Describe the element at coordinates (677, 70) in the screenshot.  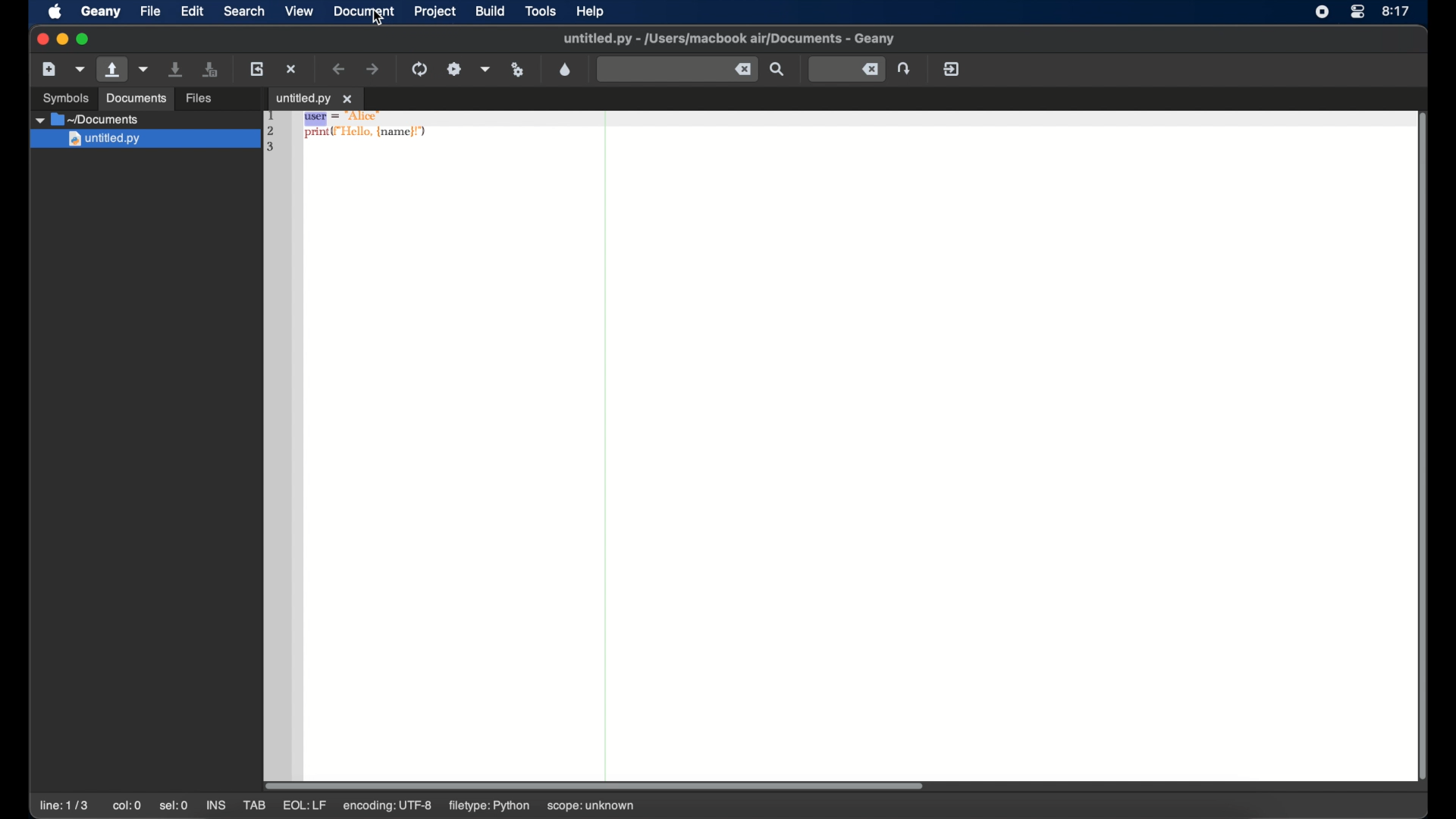
I see `find the entered text in current file` at that location.